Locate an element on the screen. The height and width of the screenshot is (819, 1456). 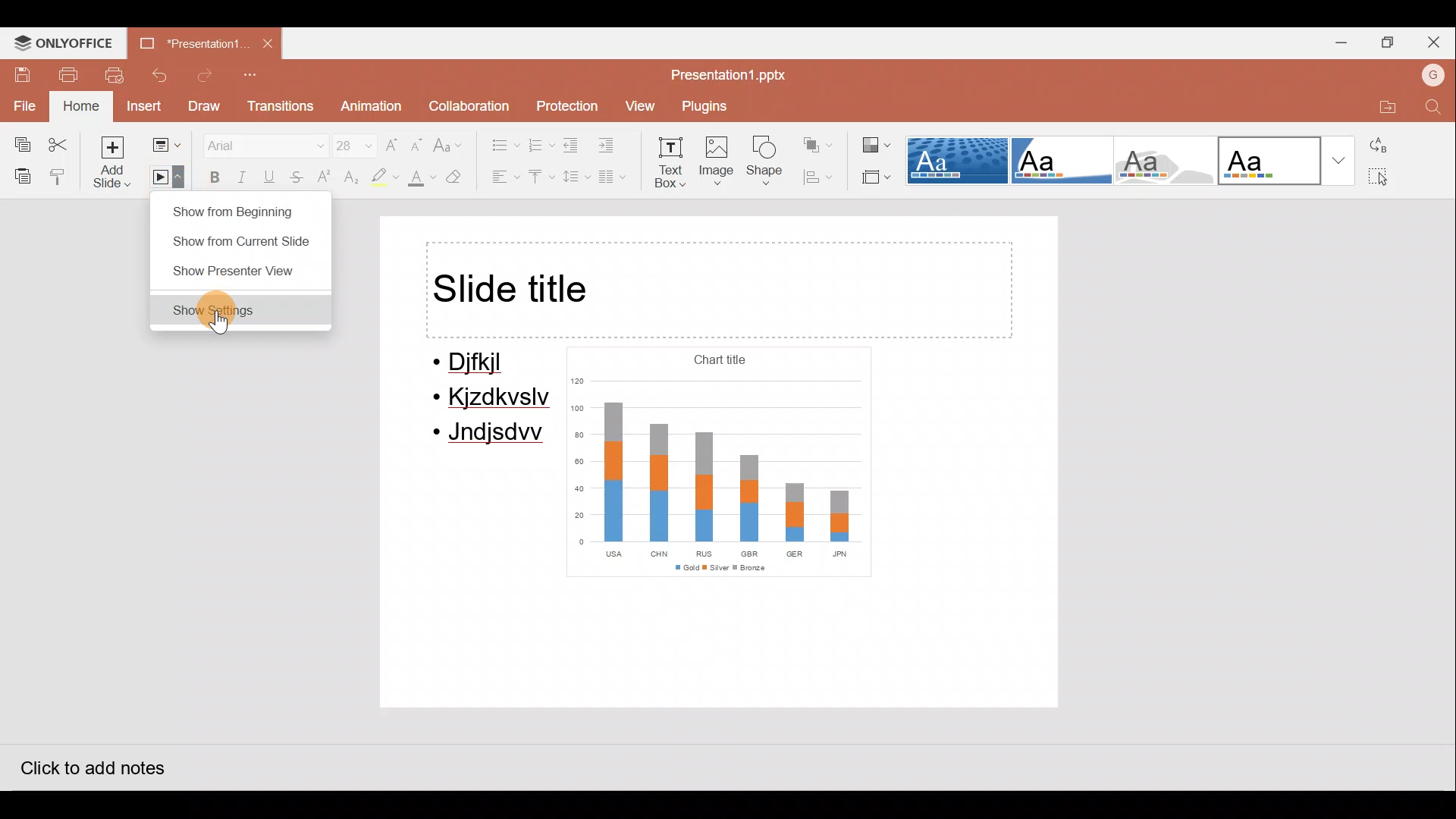
Copy style is located at coordinates (65, 176).